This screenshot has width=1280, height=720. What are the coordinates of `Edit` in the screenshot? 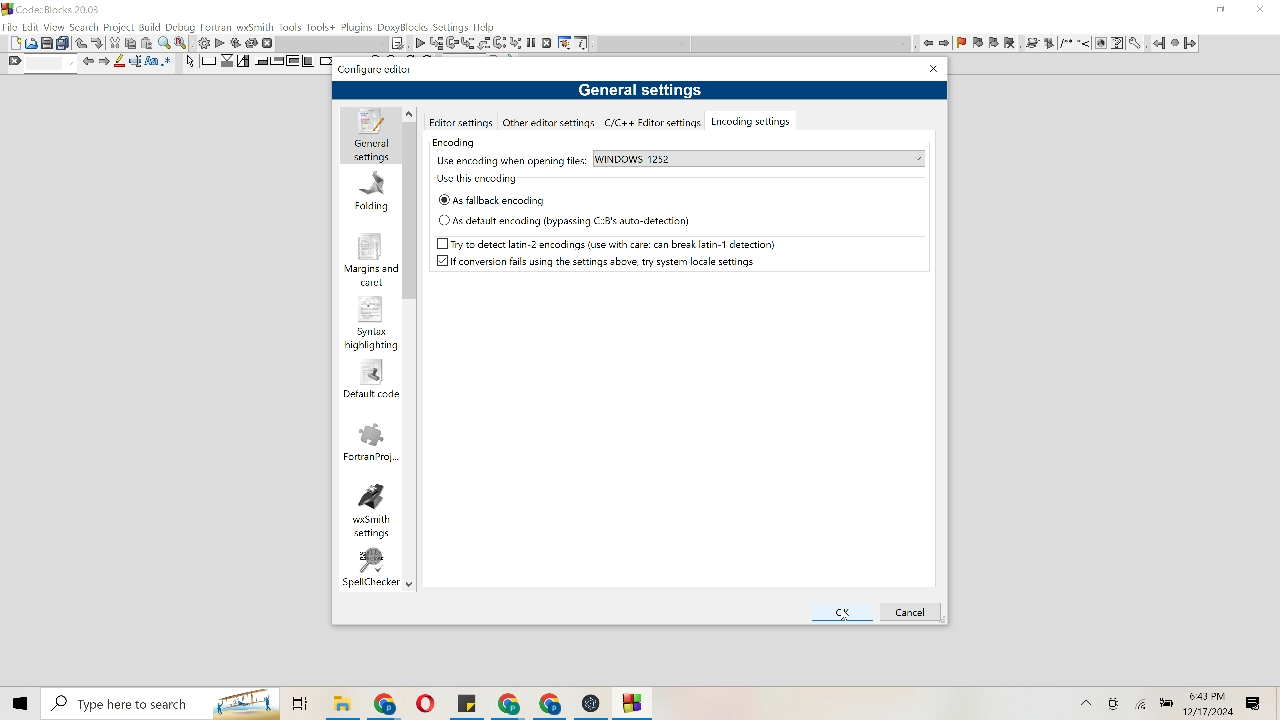 It's located at (31, 27).